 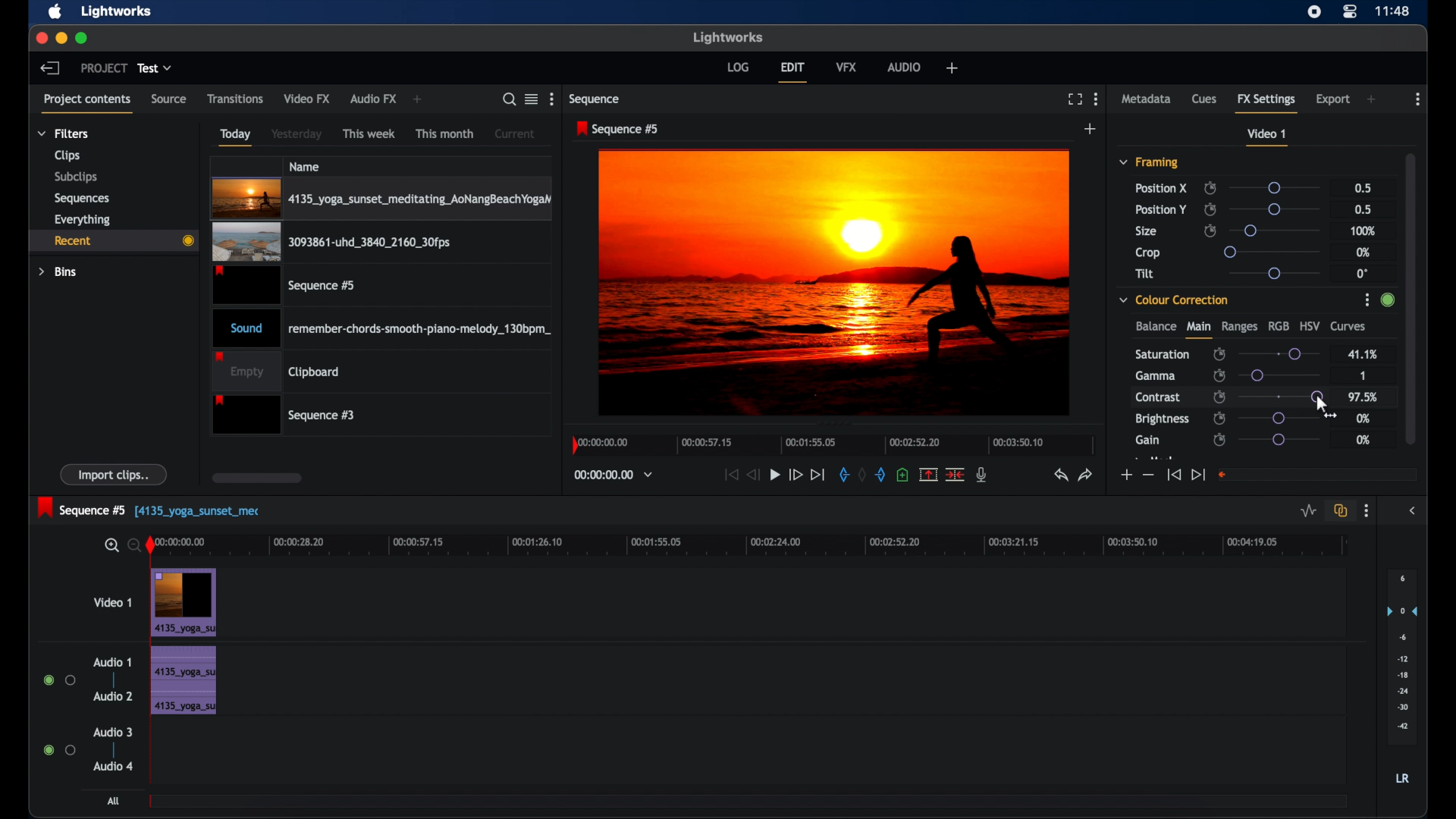 I want to click on slider, so click(x=1279, y=440).